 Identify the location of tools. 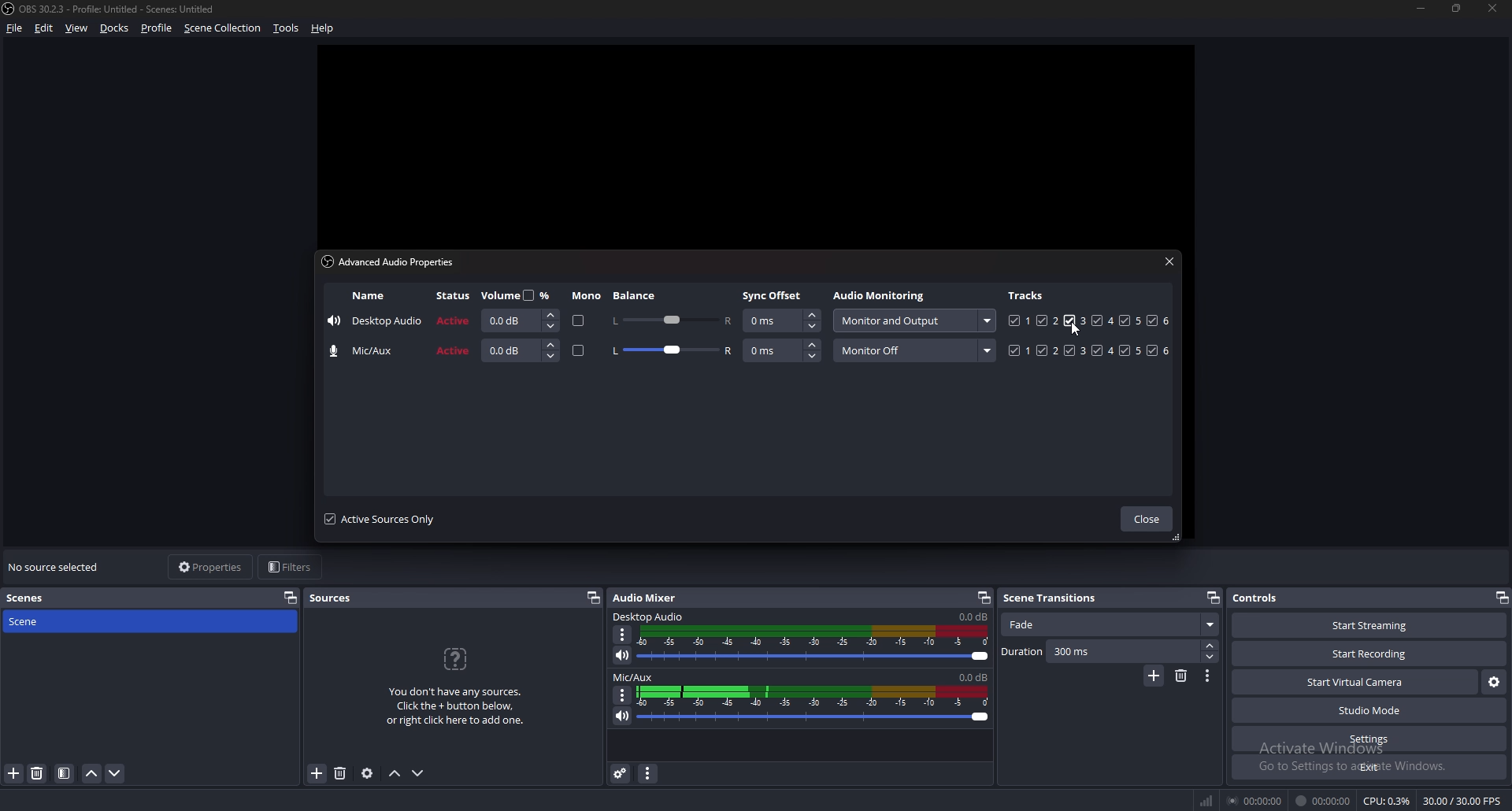
(285, 29).